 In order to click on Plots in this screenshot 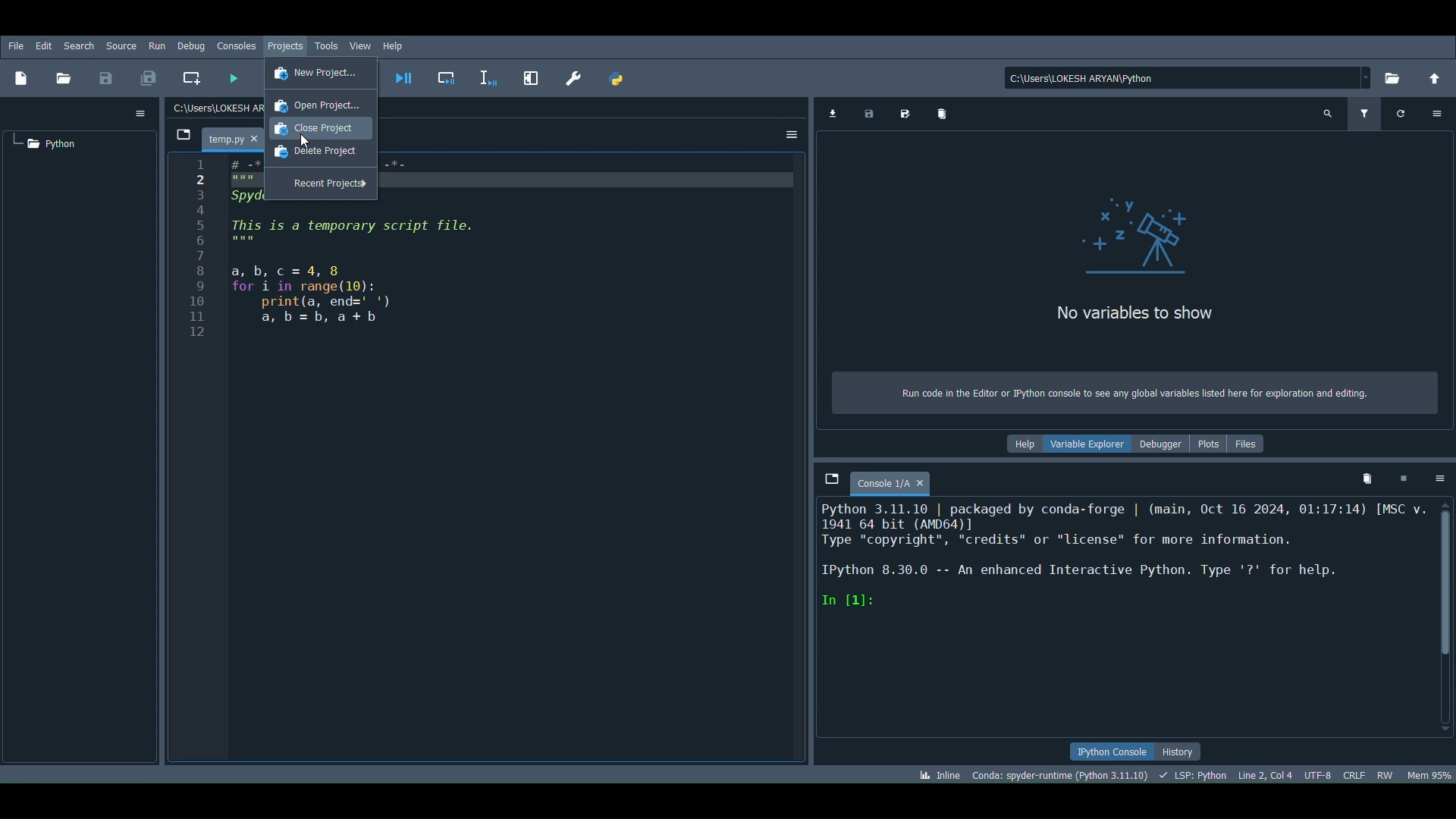, I will do `click(1209, 443)`.